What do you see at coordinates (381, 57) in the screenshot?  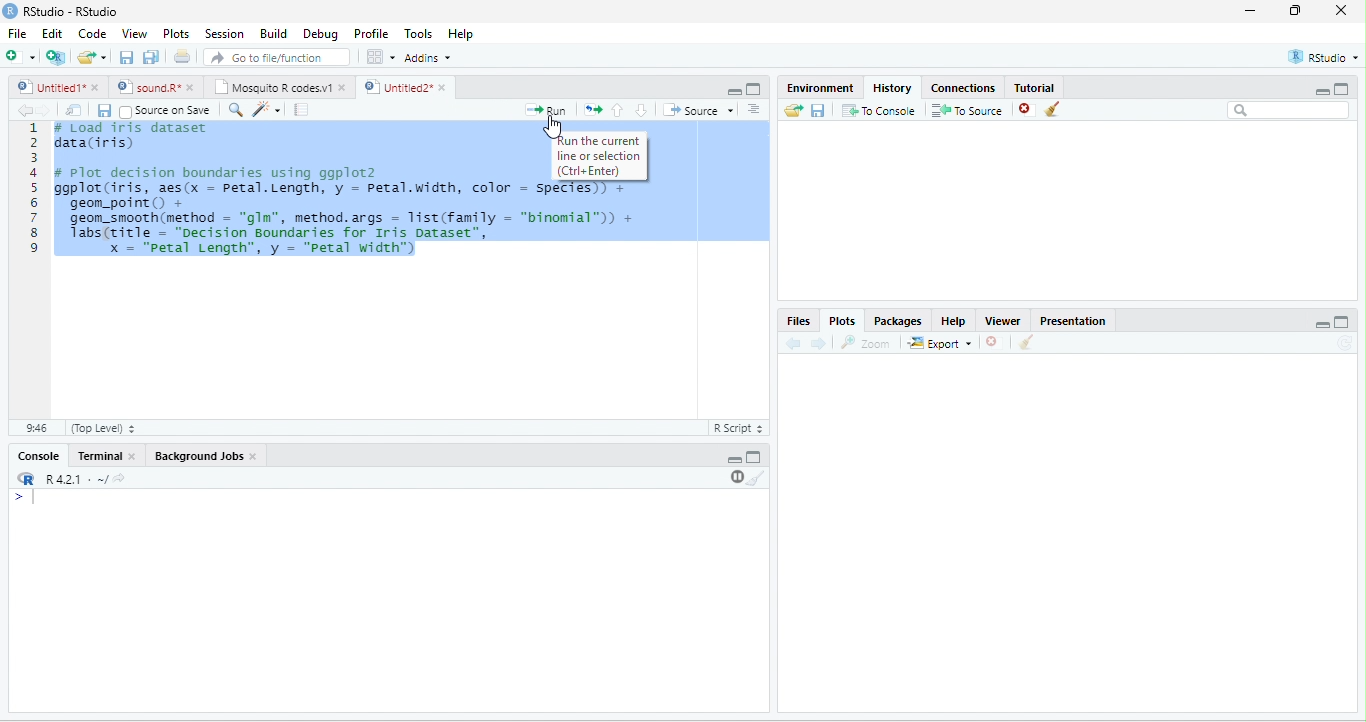 I see `options` at bounding box center [381, 57].